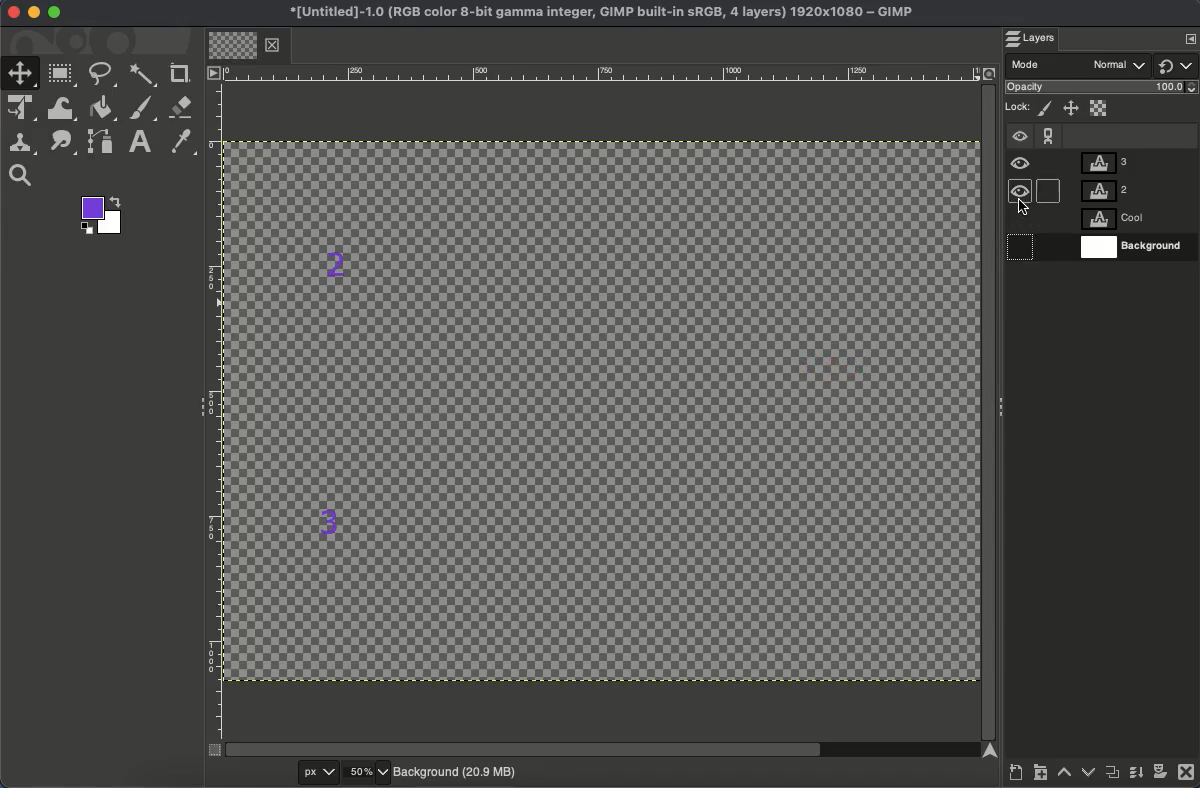  I want to click on hidden, so click(1021, 247).